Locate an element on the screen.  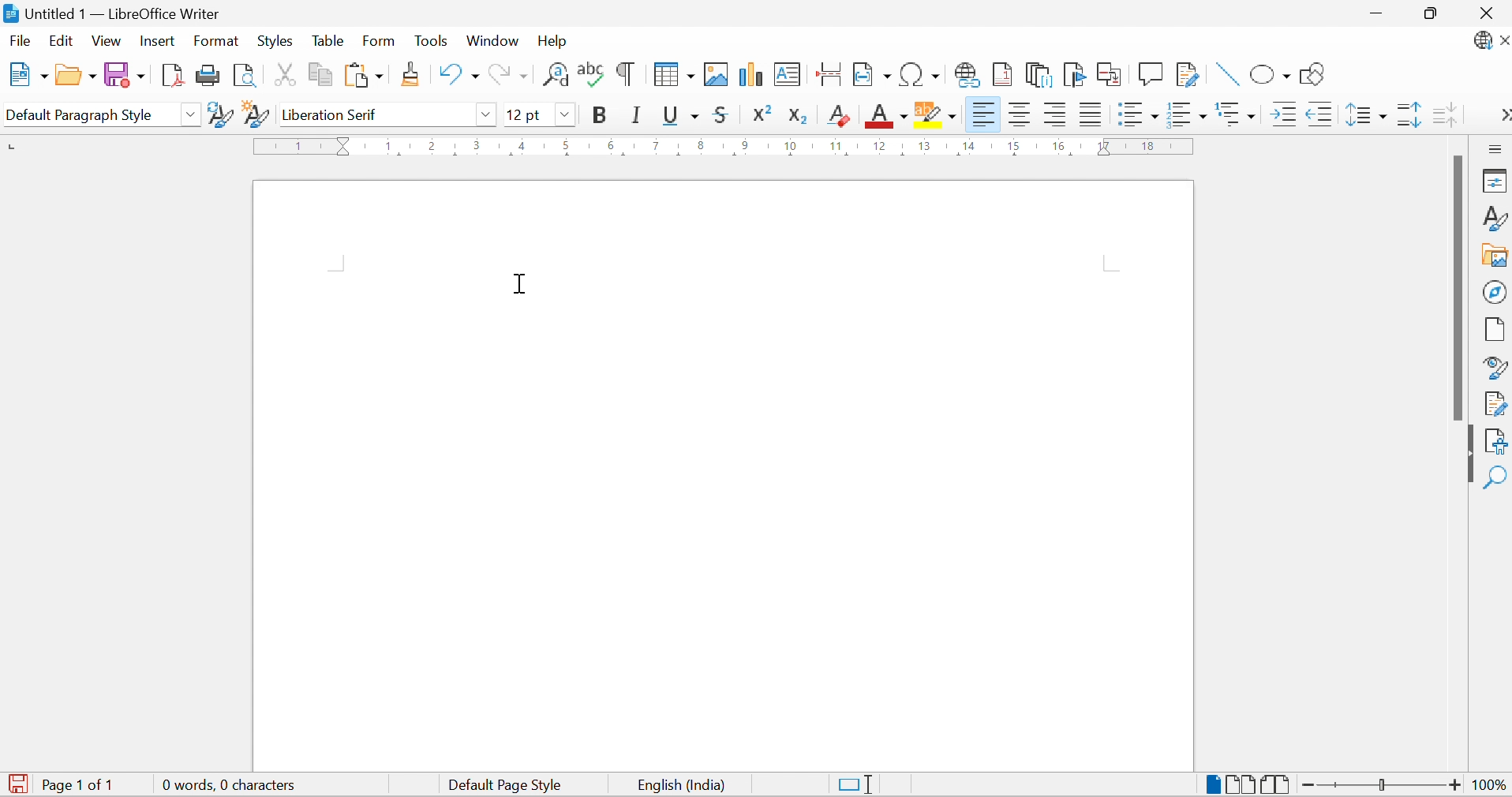
Form is located at coordinates (380, 40).